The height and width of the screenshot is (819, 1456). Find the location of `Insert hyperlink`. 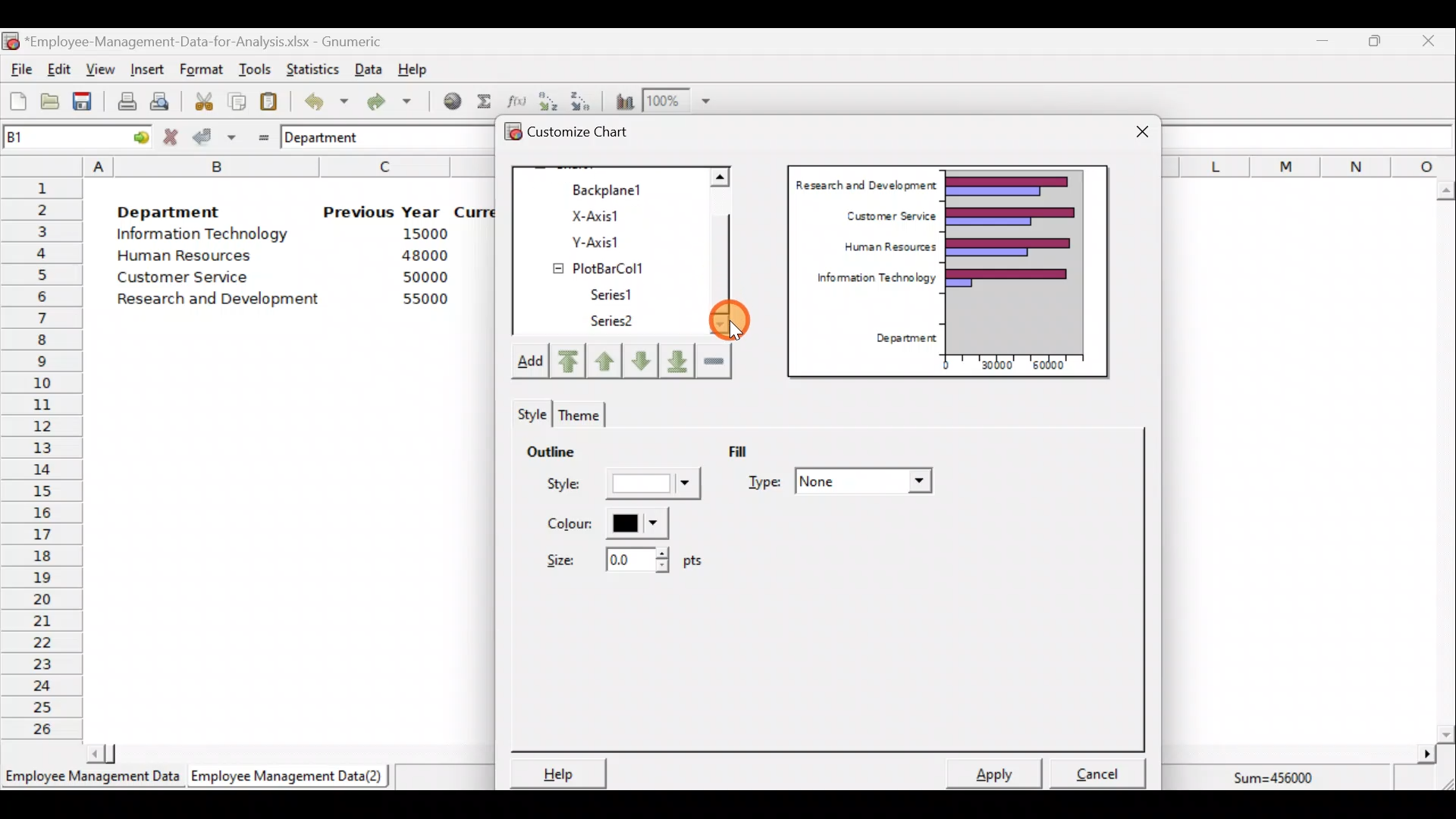

Insert hyperlink is located at coordinates (447, 100).